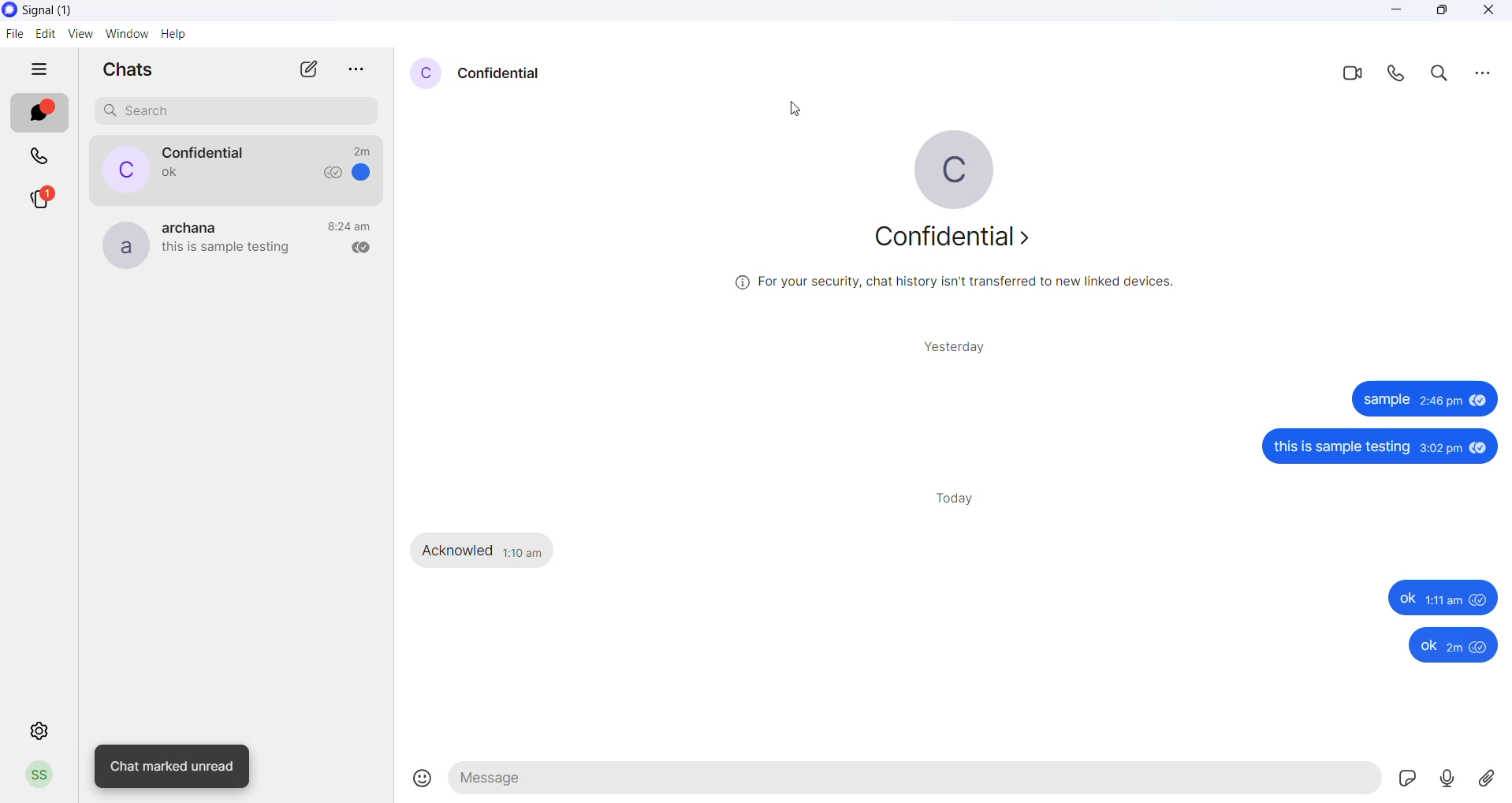 The image size is (1512, 803). I want to click on security related information, so click(969, 285).